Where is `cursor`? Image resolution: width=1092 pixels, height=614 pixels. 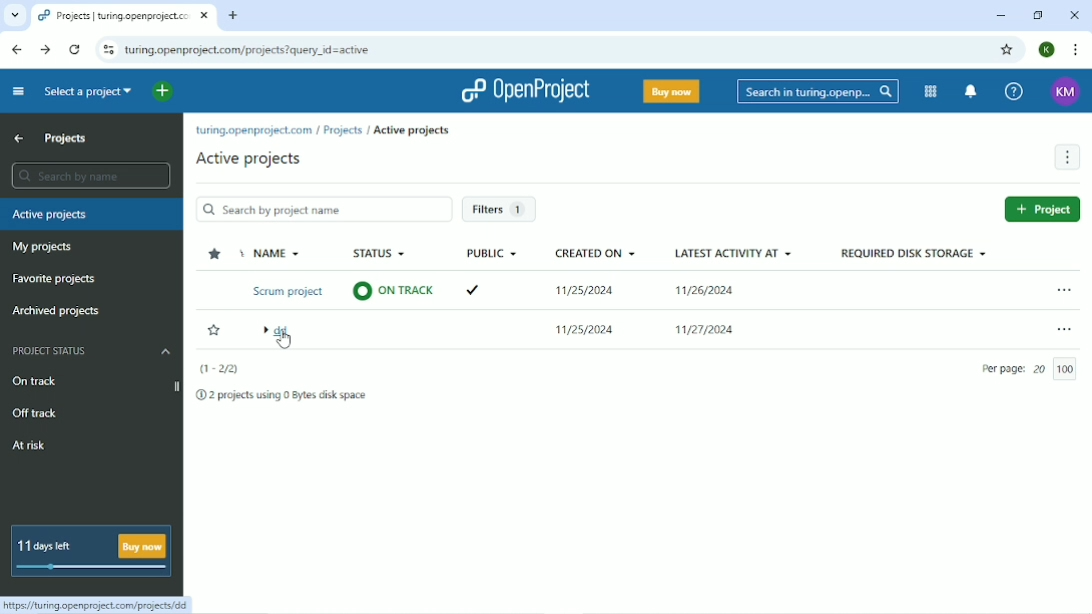
cursor is located at coordinates (284, 344).